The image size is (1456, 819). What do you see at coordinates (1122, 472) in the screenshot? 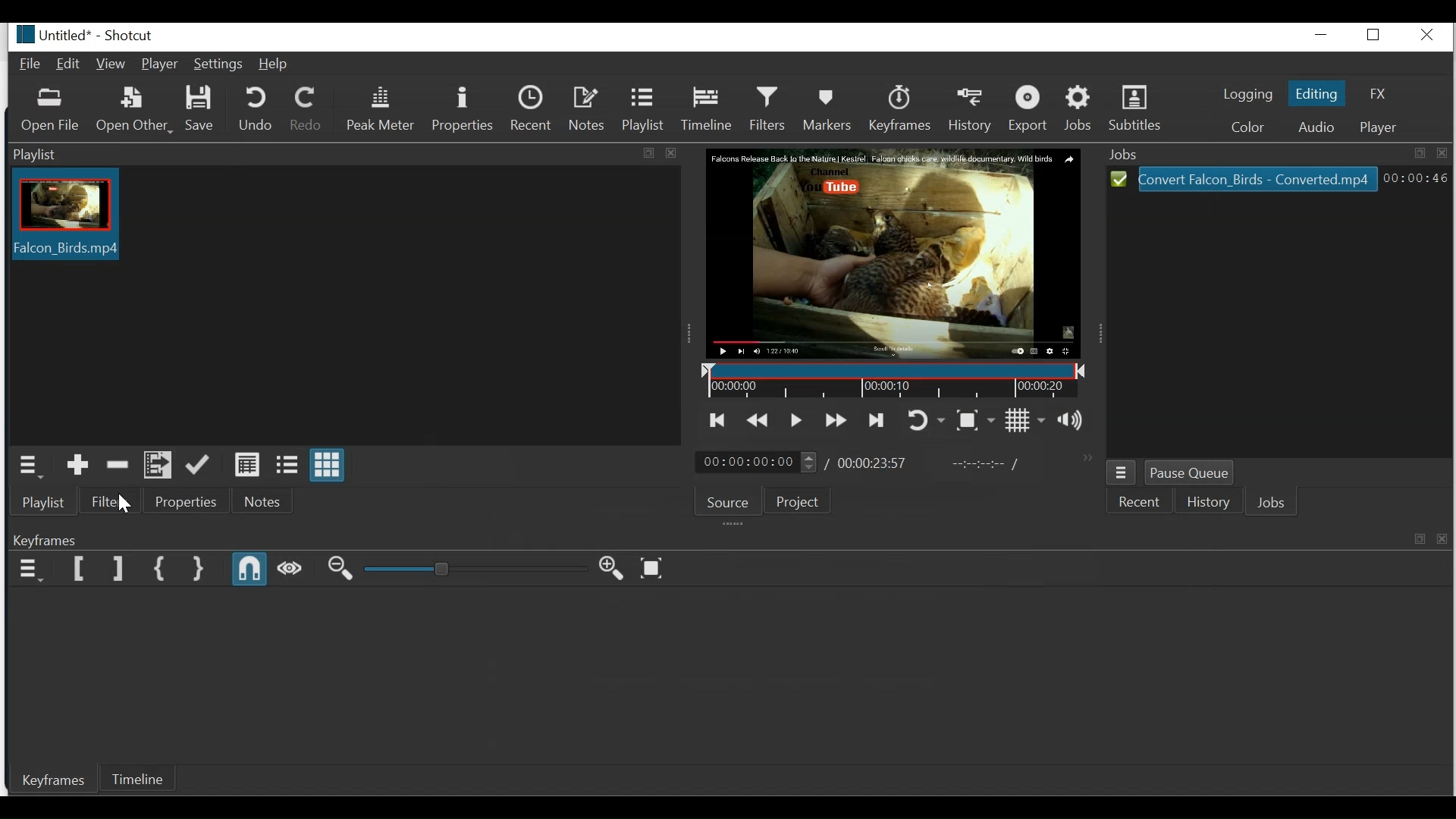
I see `Jobs menu` at bounding box center [1122, 472].